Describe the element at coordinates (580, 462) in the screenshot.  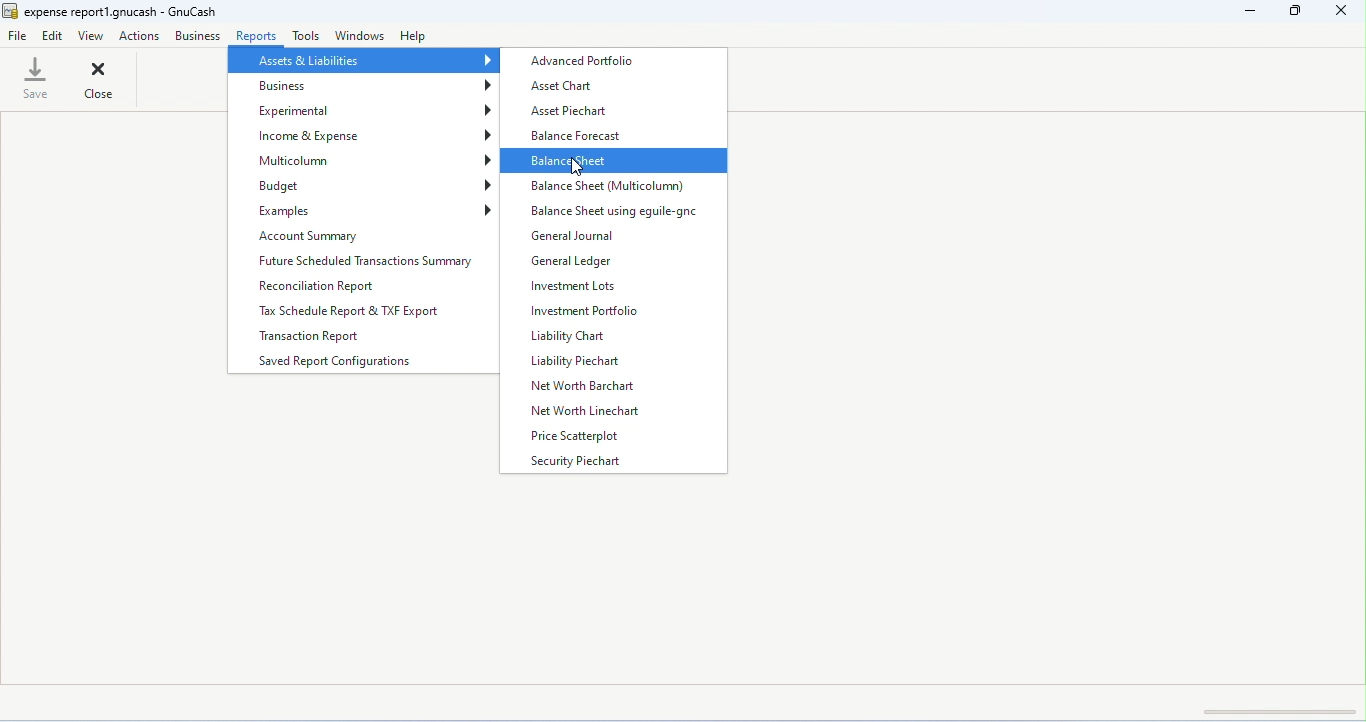
I see `security piechart` at that location.